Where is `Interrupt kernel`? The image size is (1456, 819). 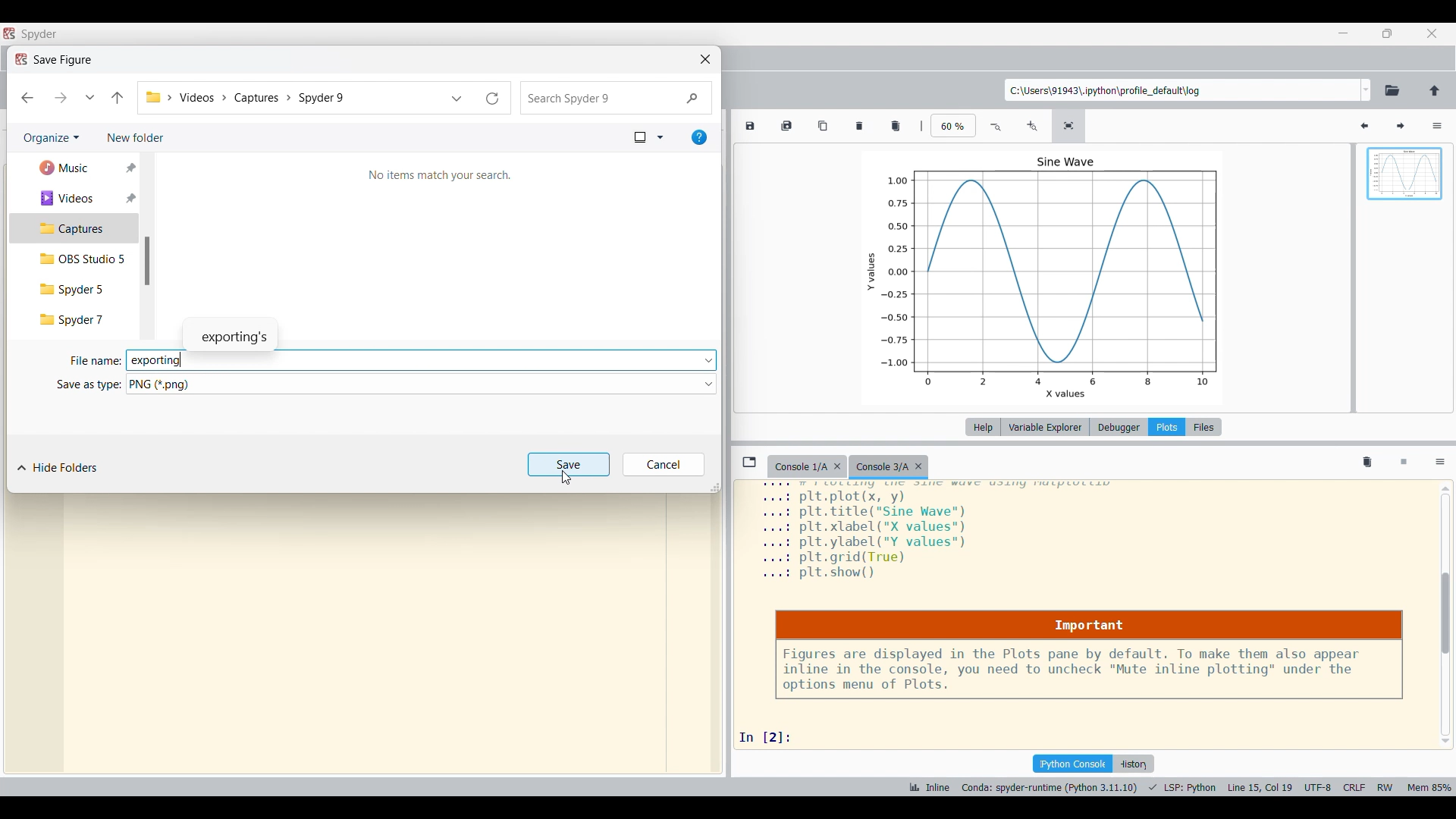 Interrupt kernel is located at coordinates (1404, 463).